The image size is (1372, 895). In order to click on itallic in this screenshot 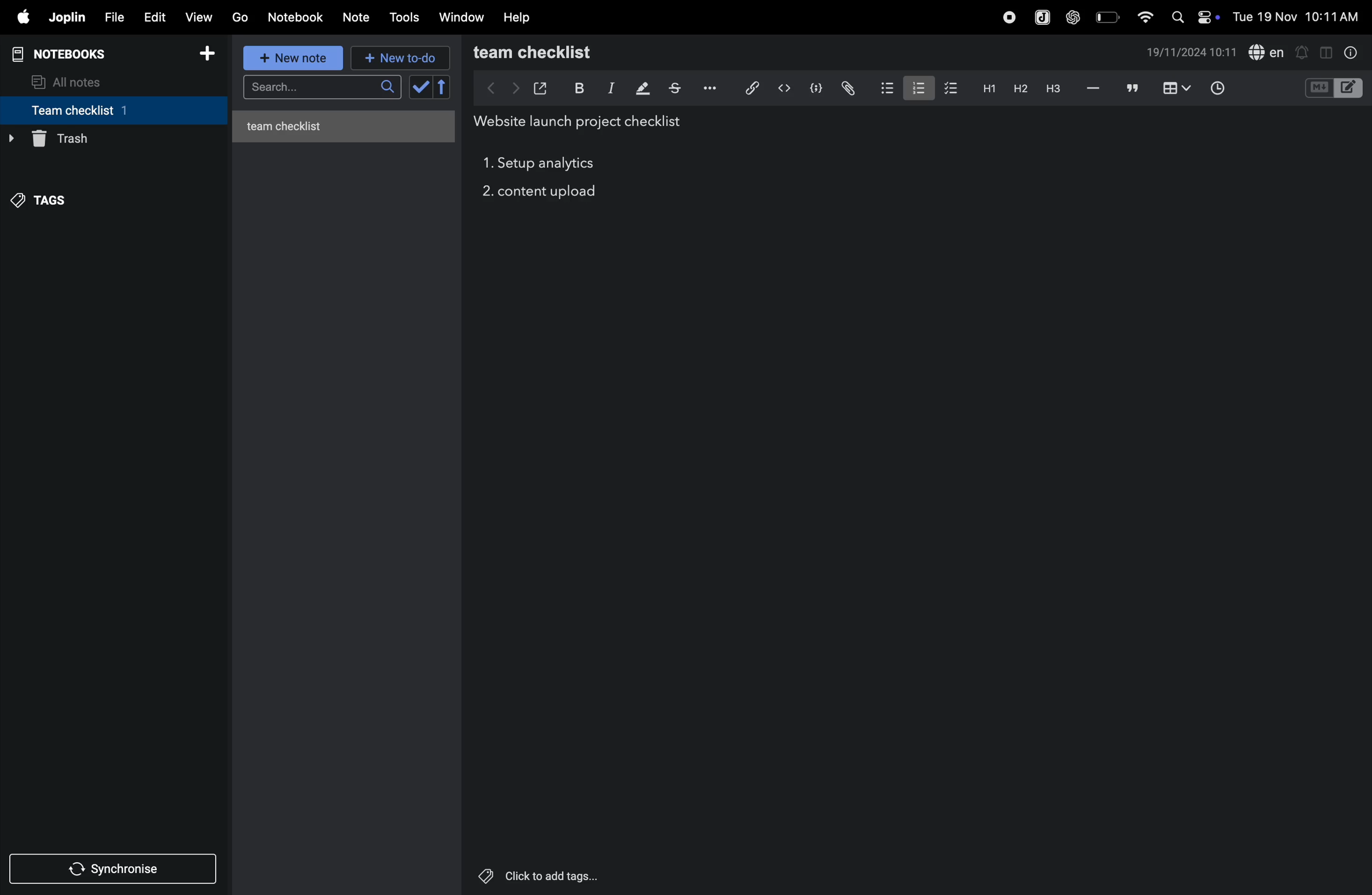, I will do `click(609, 88)`.